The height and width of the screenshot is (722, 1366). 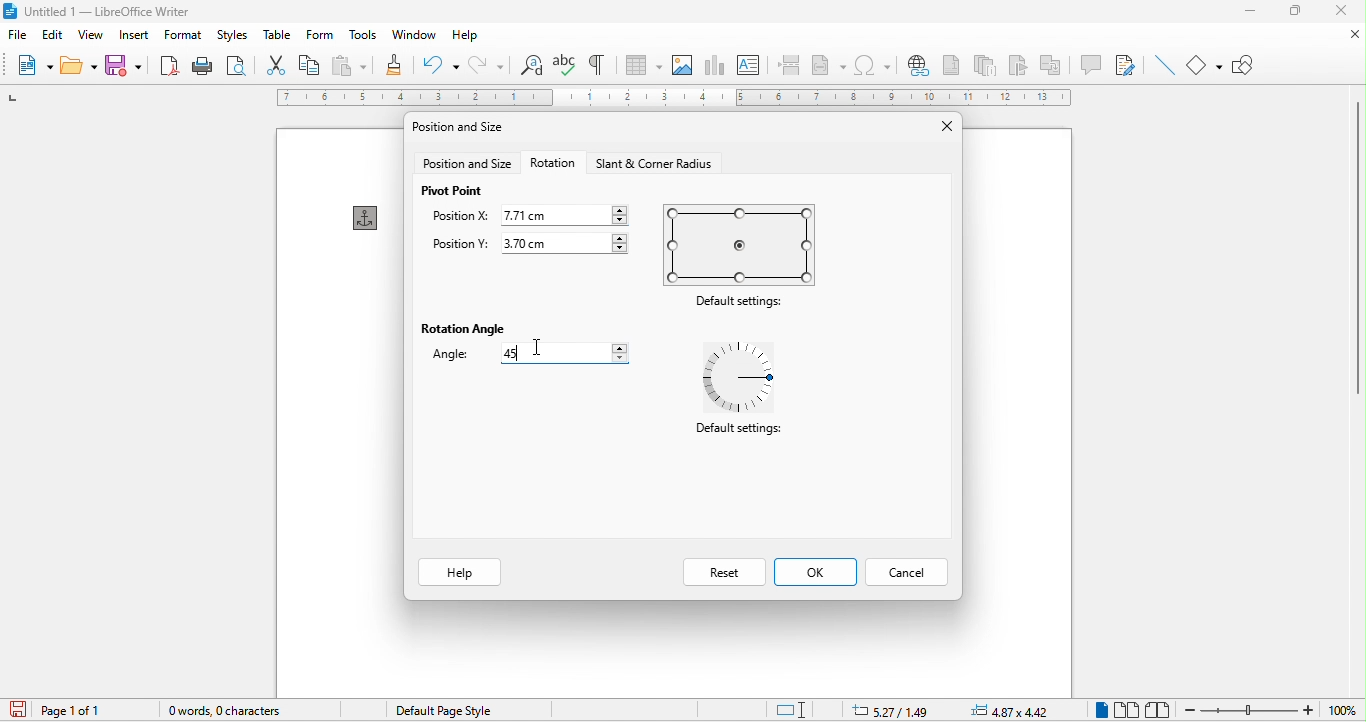 What do you see at coordinates (1099, 710) in the screenshot?
I see `single page view` at bounding box center [1099, 710].